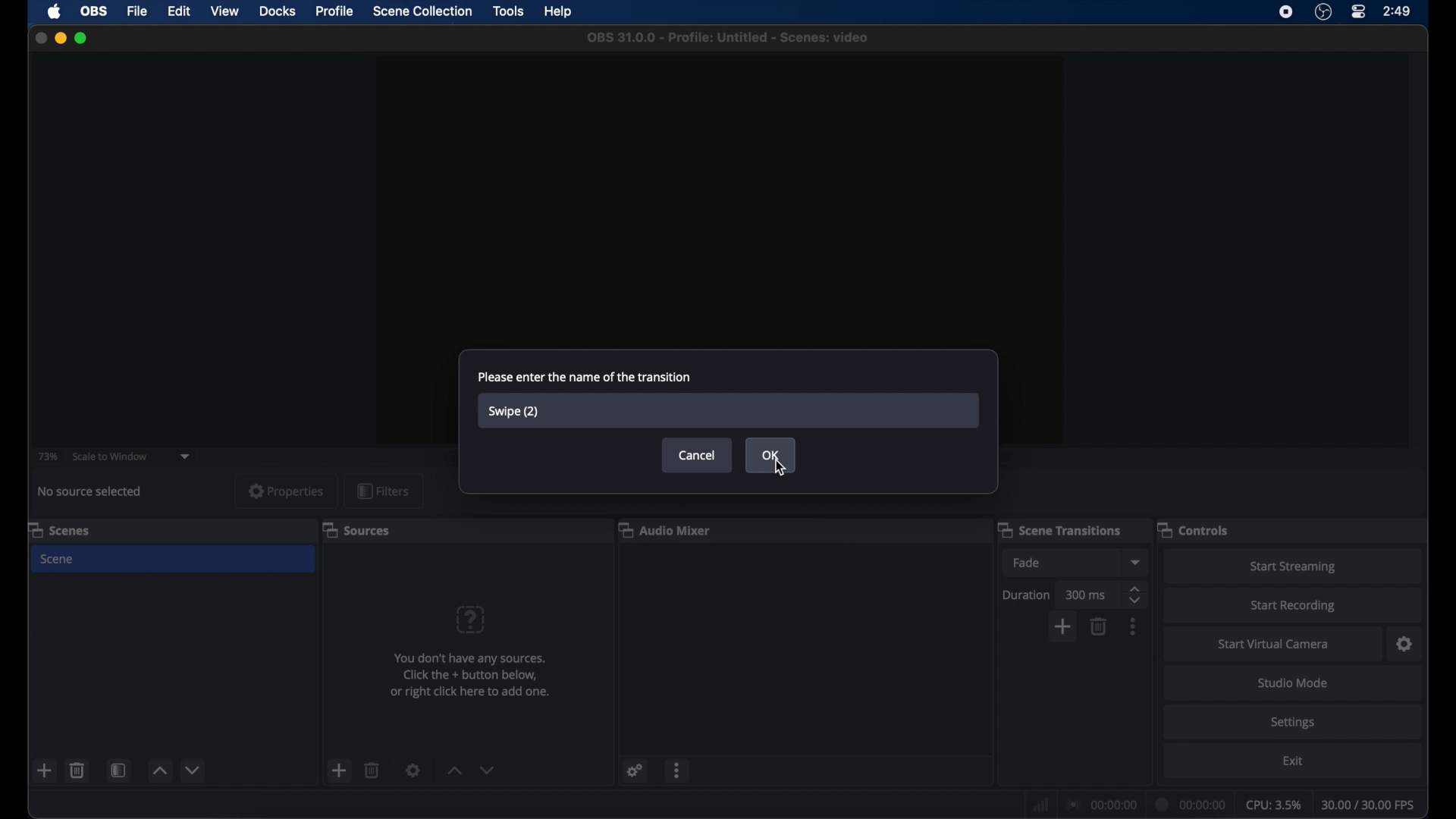 The image size is (1456, 819). Describe the element at coordinates (515, 412) in the screenshot. I see `swipe` at that location.